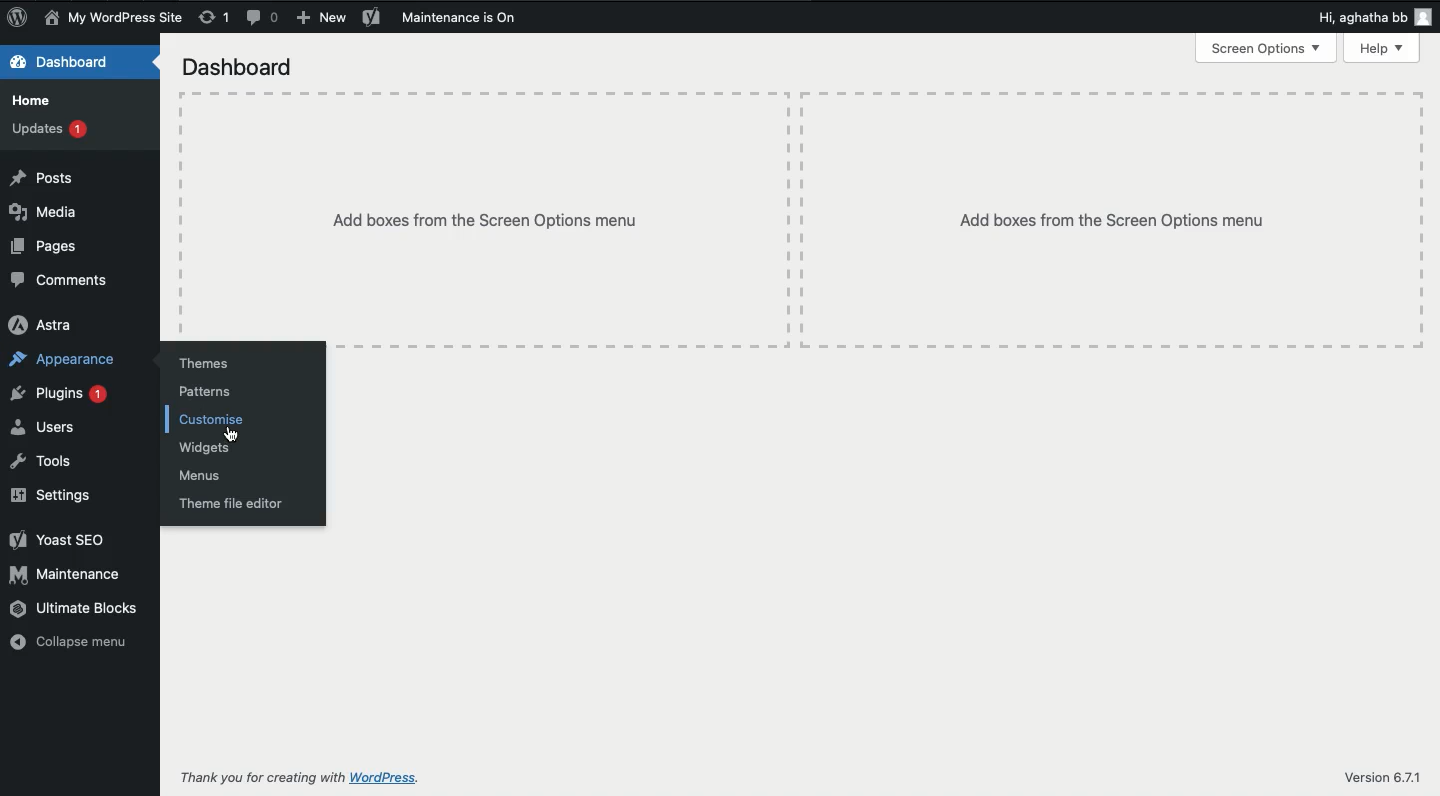 Image resolution: width=1440 pixels, height=796 pixels. I want to click on Media , so click(44, 213).